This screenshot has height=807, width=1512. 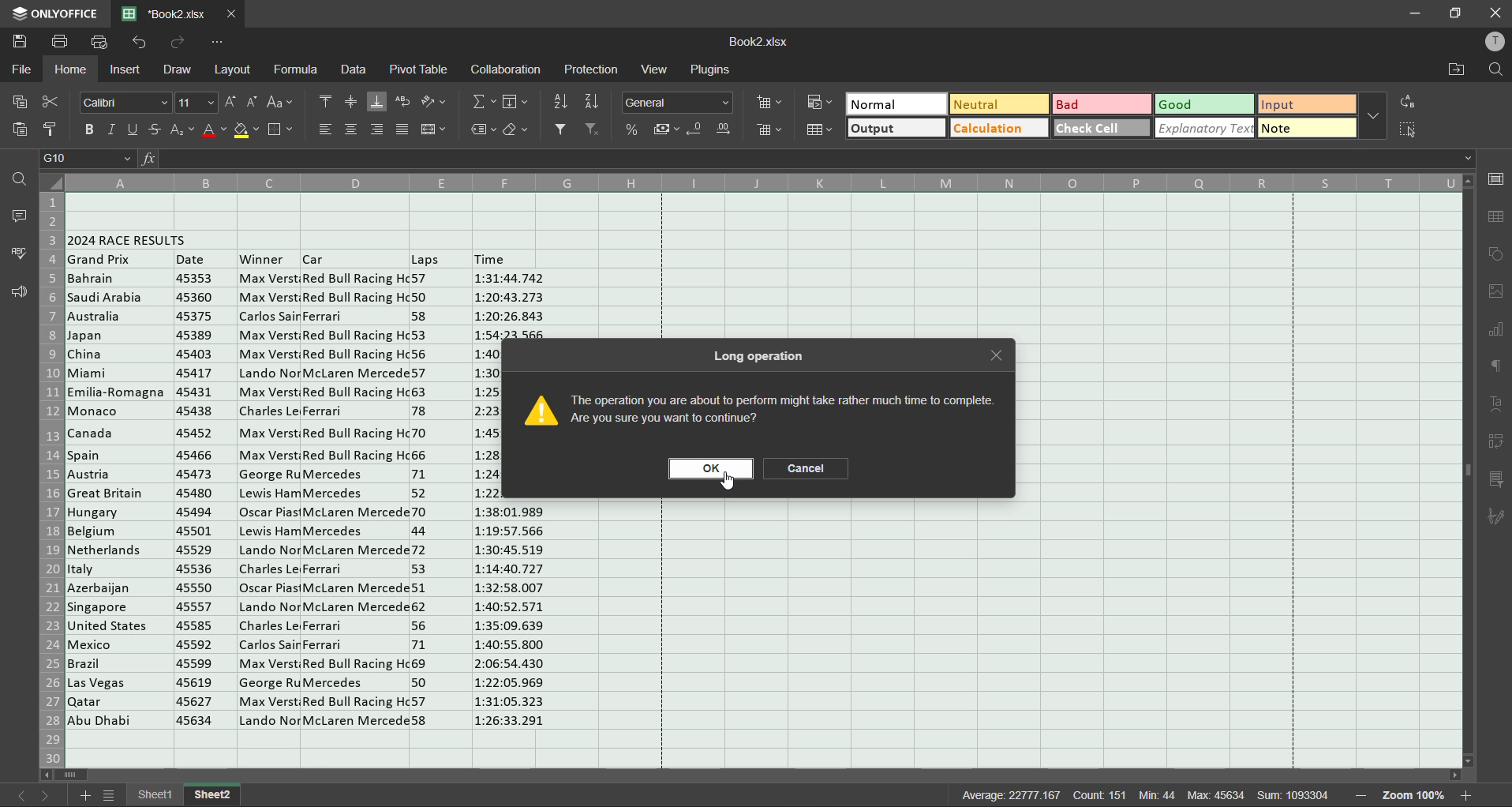 What do you see at coordinates (133, 131) in the screenshot?
I see `underline` at bounding box center [133, 131].